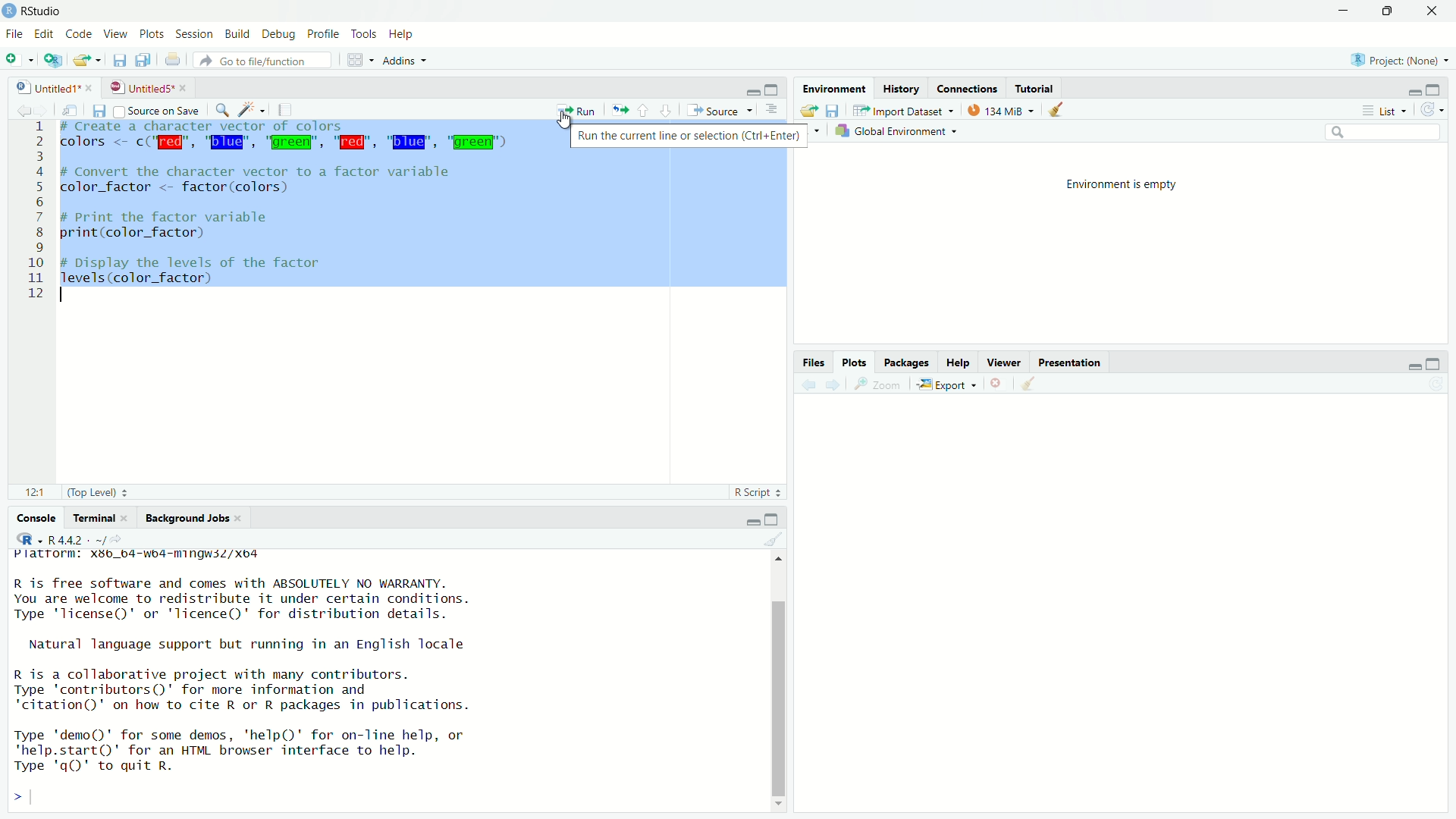 The height and width of the screenshot is (819, 1456). I want to click on code, so click(79, 35).